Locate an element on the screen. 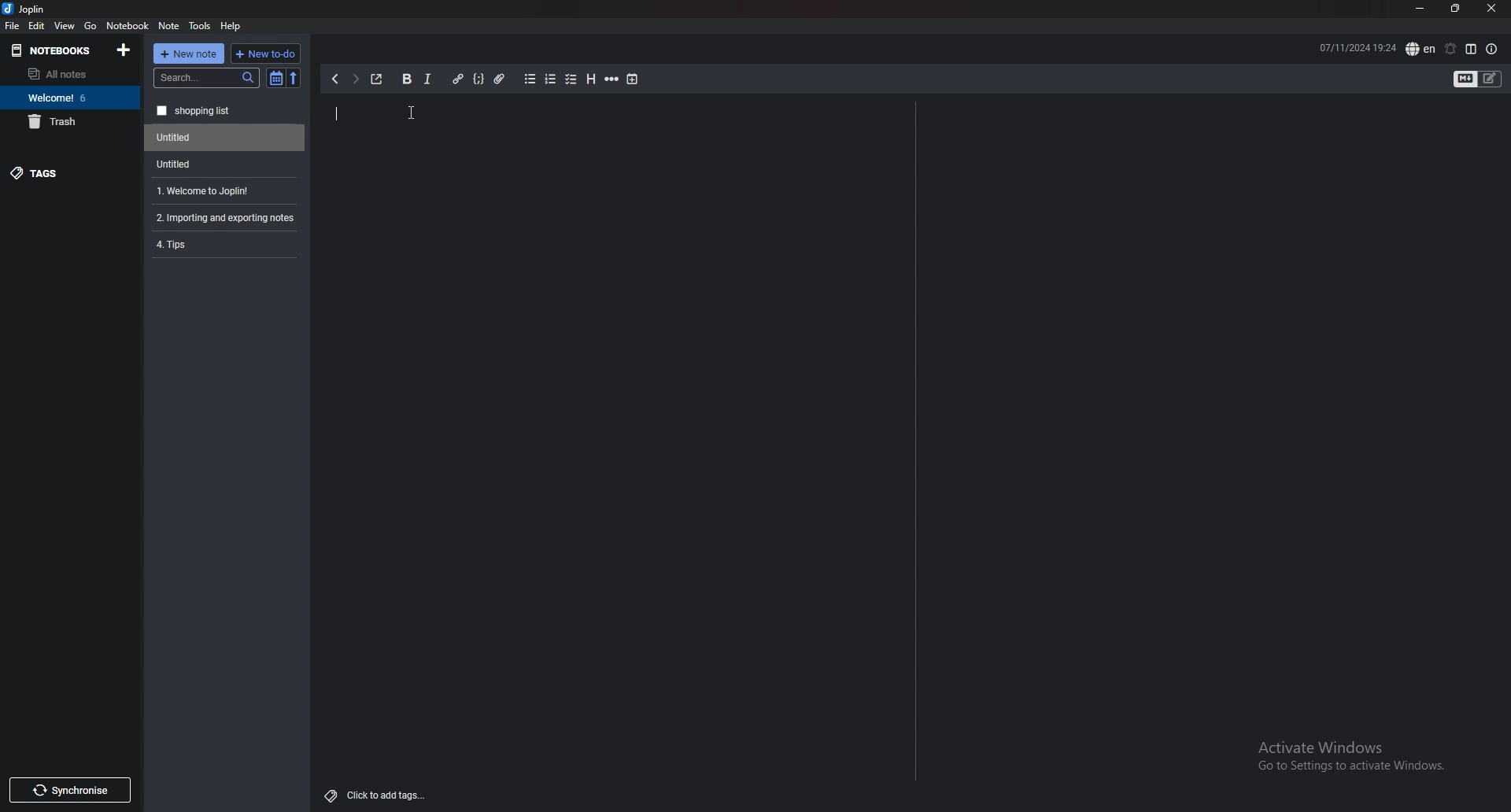  07/11/2024 19:24 is located at coordinates (1358, 46).